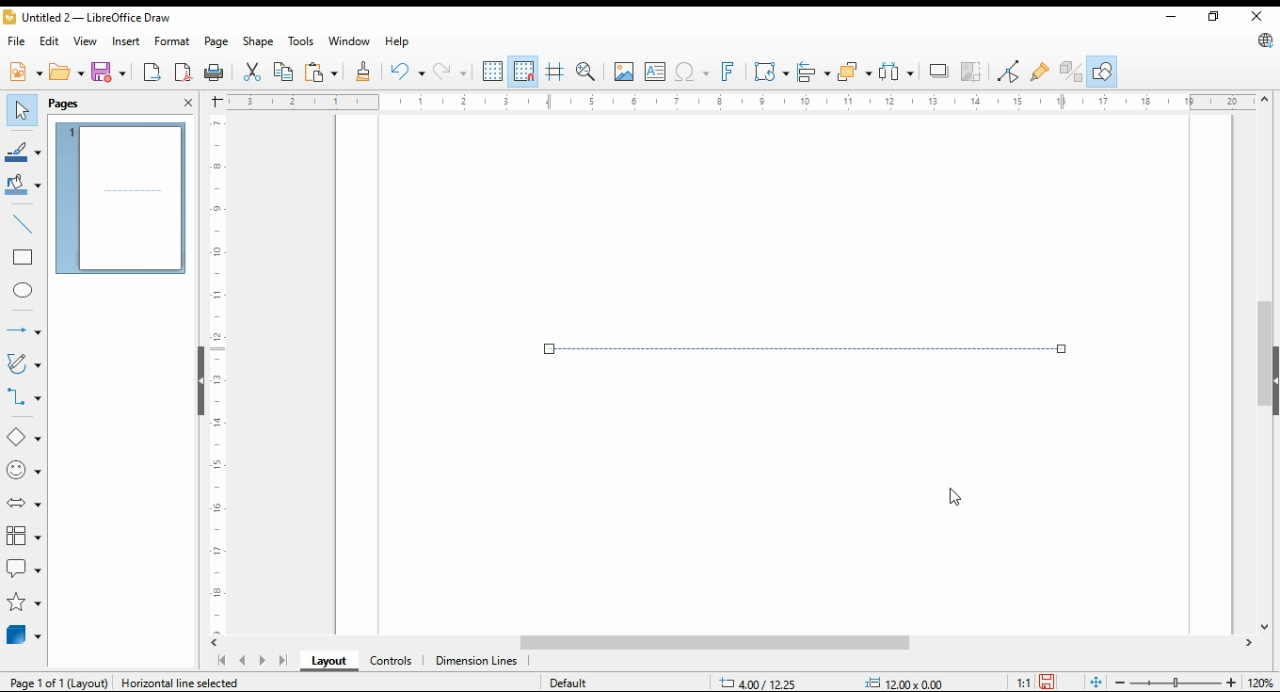 This screenshot has width=1280, height=692. Describe the element at coordinates (690, 72) in the screenshot. I see `insert special characters` at that location.